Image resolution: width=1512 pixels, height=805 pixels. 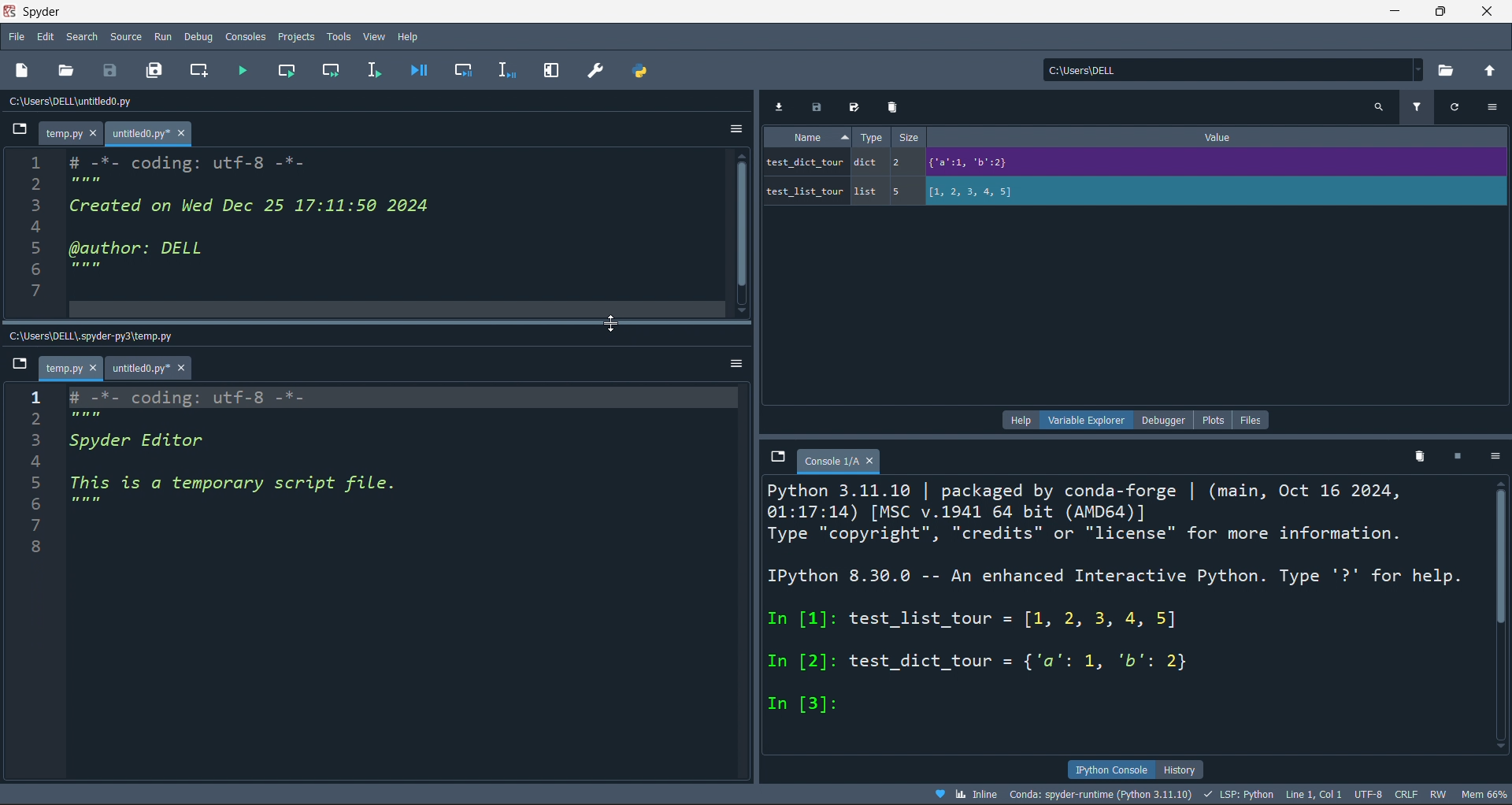 What do you see at coordinates (88, 417) in the screenshot?
I see `2 Rp` at bounding box center [88, 417].